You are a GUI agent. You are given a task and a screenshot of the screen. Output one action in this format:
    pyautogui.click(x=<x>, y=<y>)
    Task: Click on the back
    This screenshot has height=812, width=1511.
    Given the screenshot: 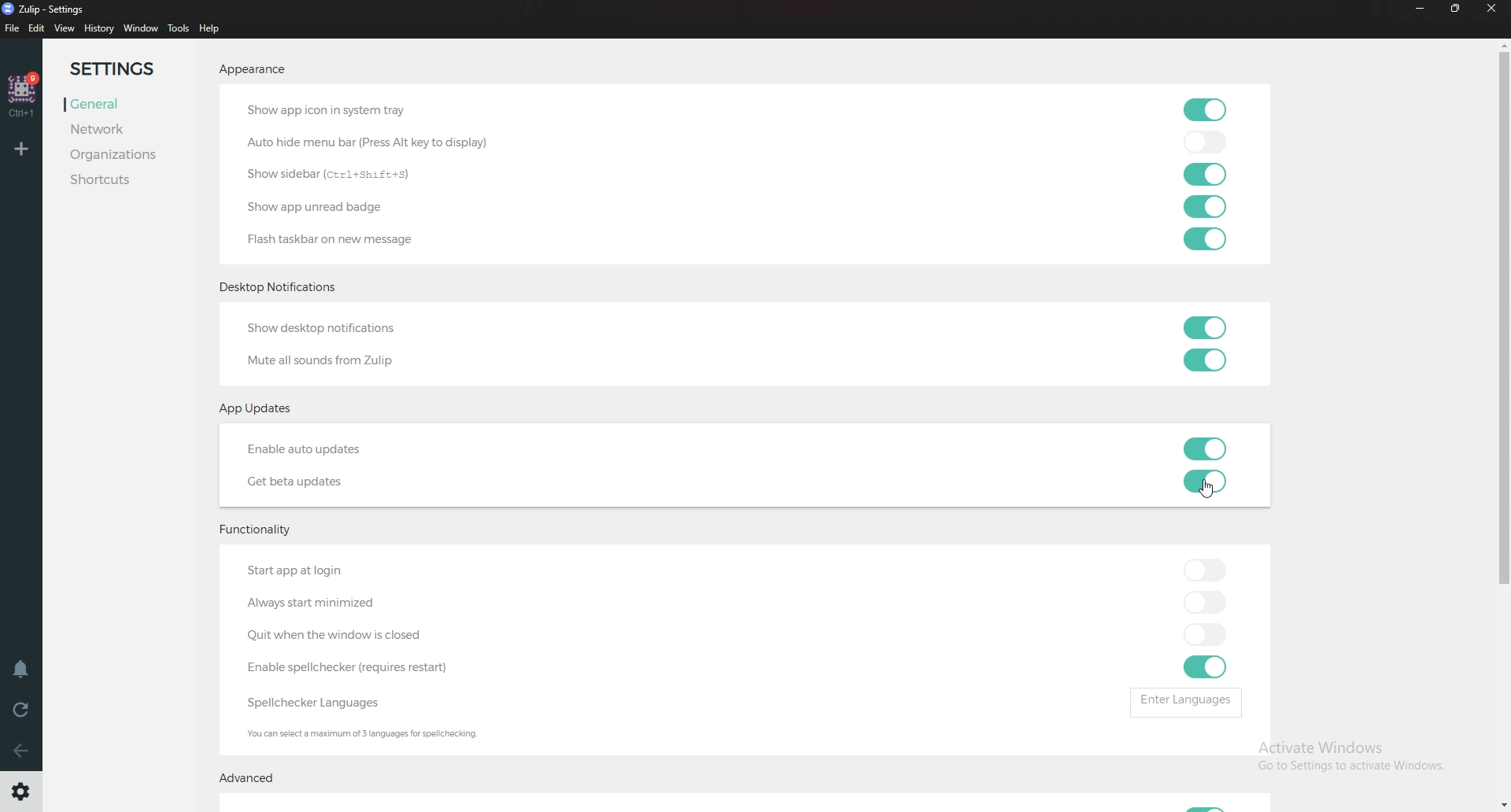 What is the action you would take?
    pyautogui.click(x=19, y=751)
    